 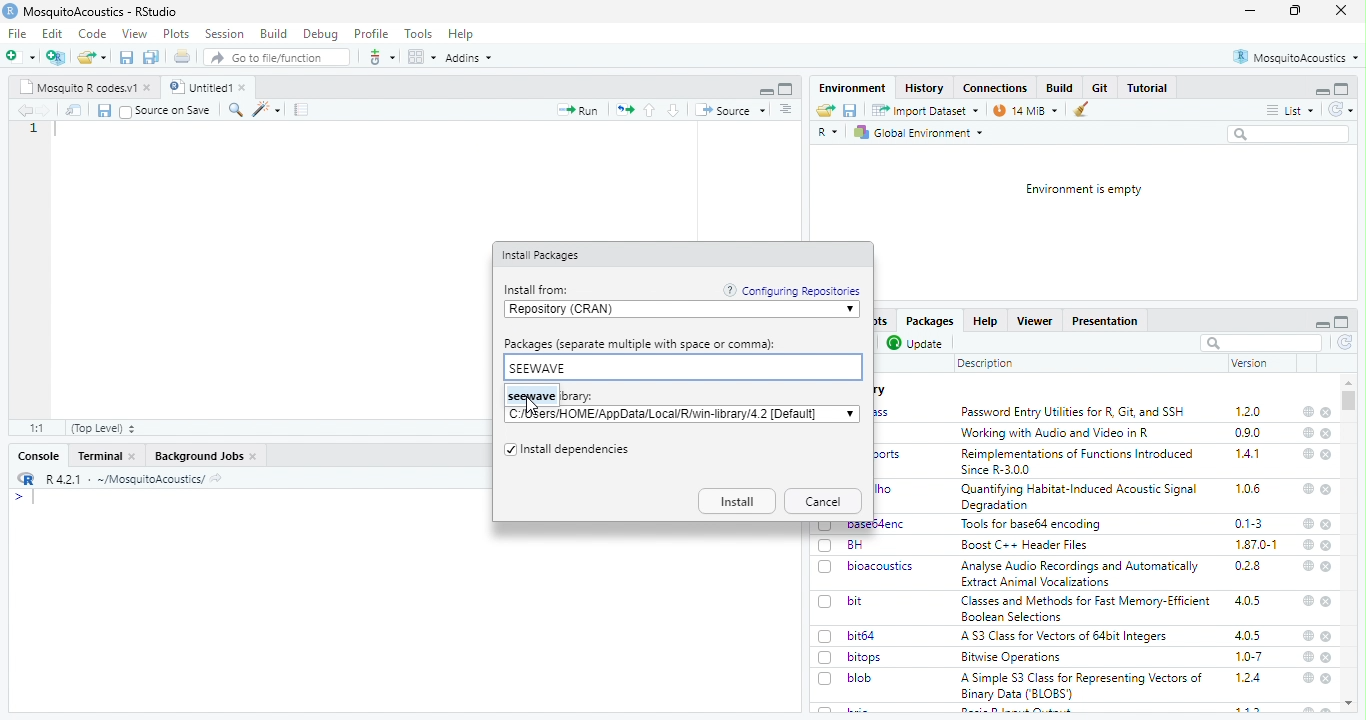 What do you see at coordinates (27, 478) in the screenshot?
I see `logo` at bounding box center [27, 478].